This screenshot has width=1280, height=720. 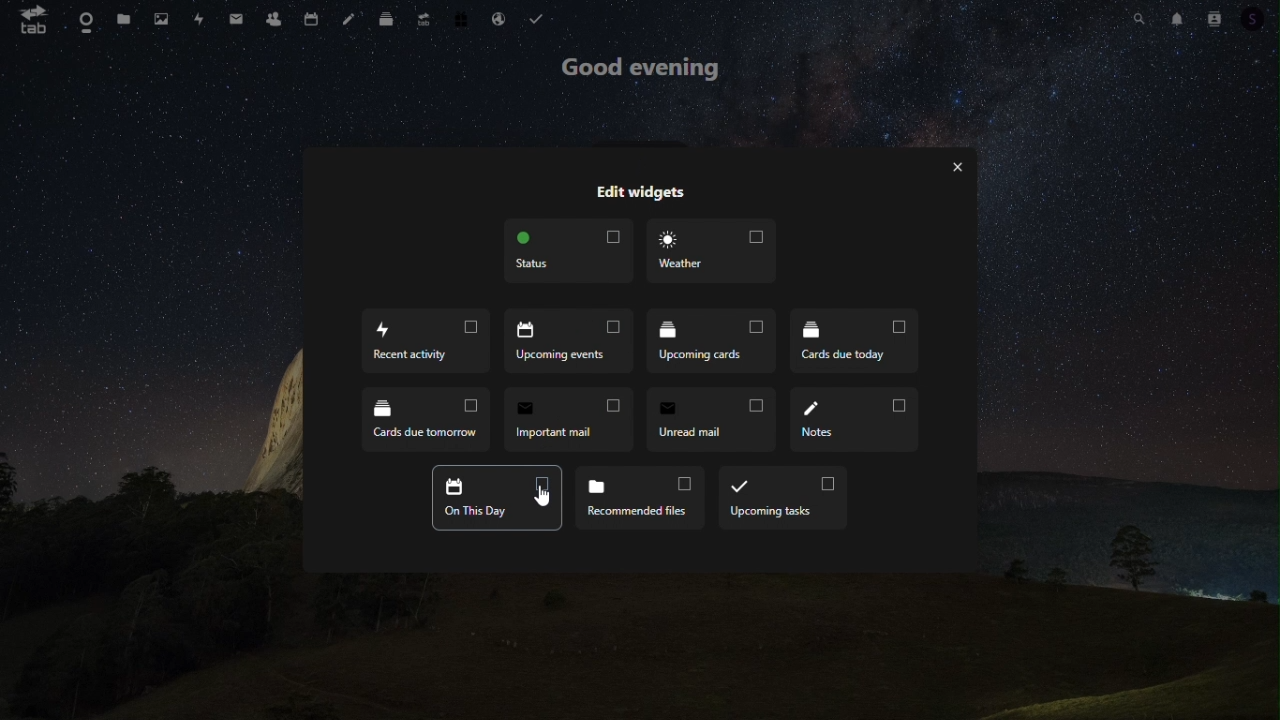 What do you see at coordinates (34, 20) in the screenshot?
I see `tab` at bounding box center [34, 20].